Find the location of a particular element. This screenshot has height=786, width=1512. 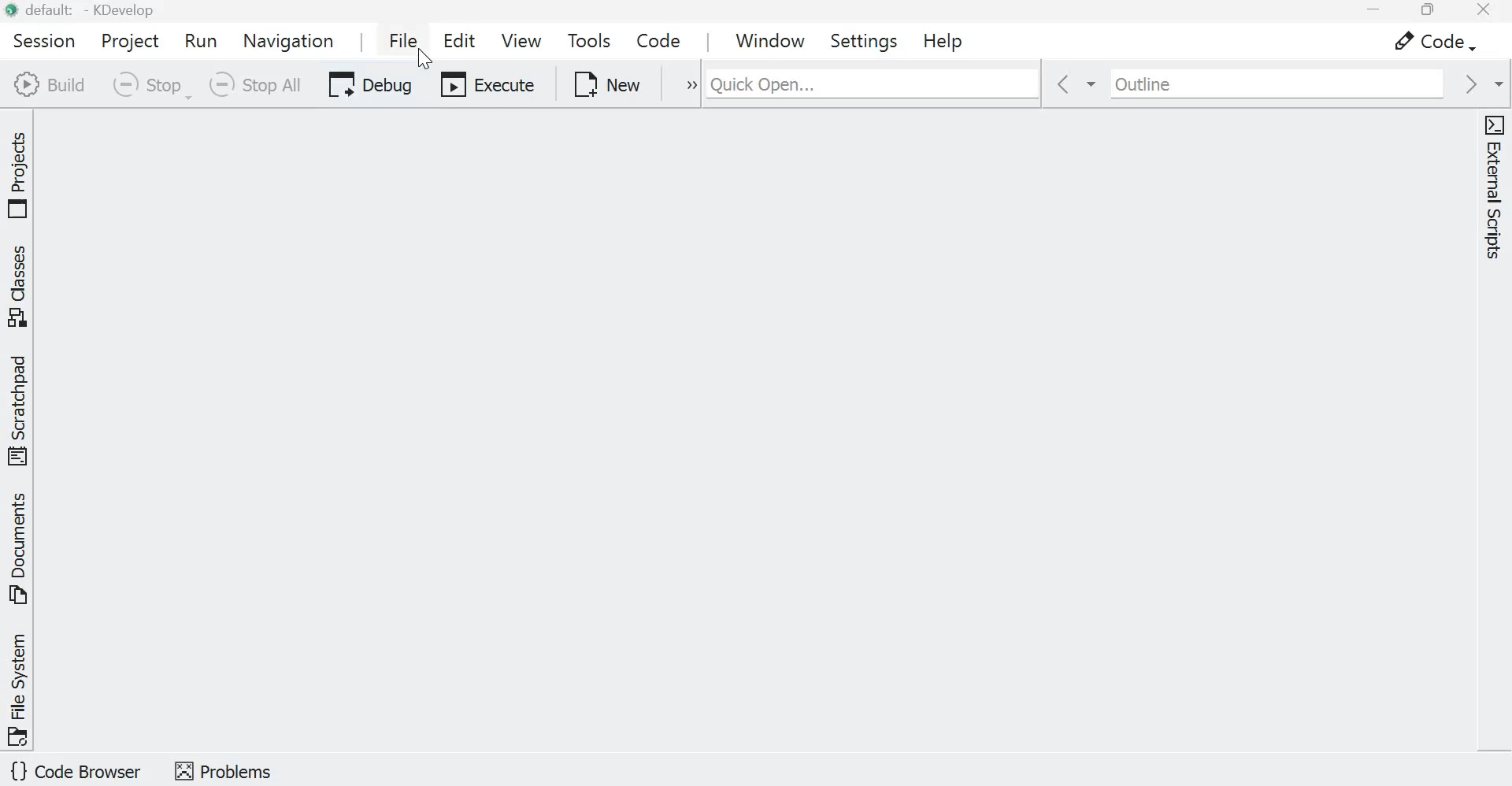

Settings is located at coordinates (867, 40).